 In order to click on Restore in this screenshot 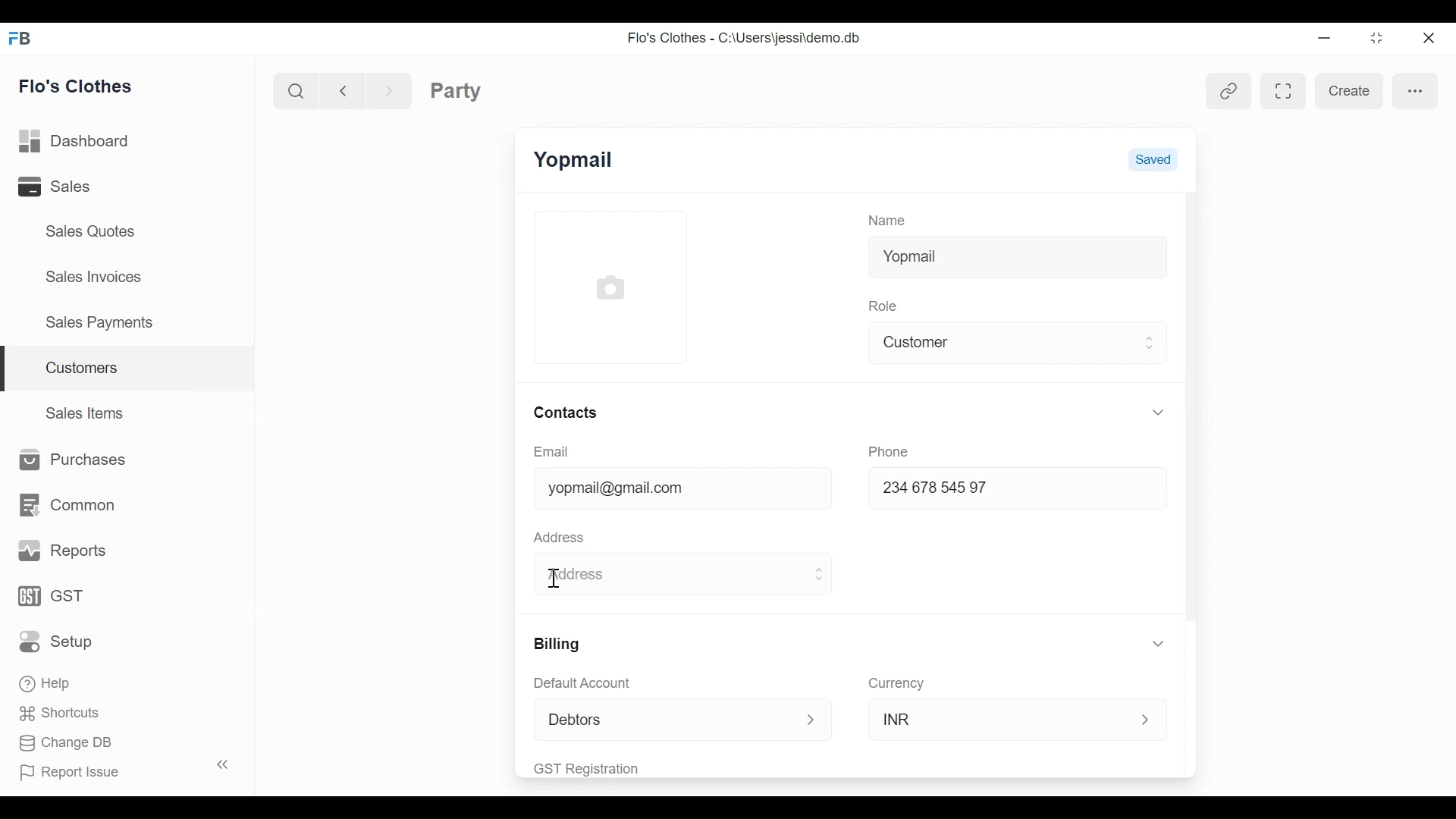, I will do `click(1372, 38)`.